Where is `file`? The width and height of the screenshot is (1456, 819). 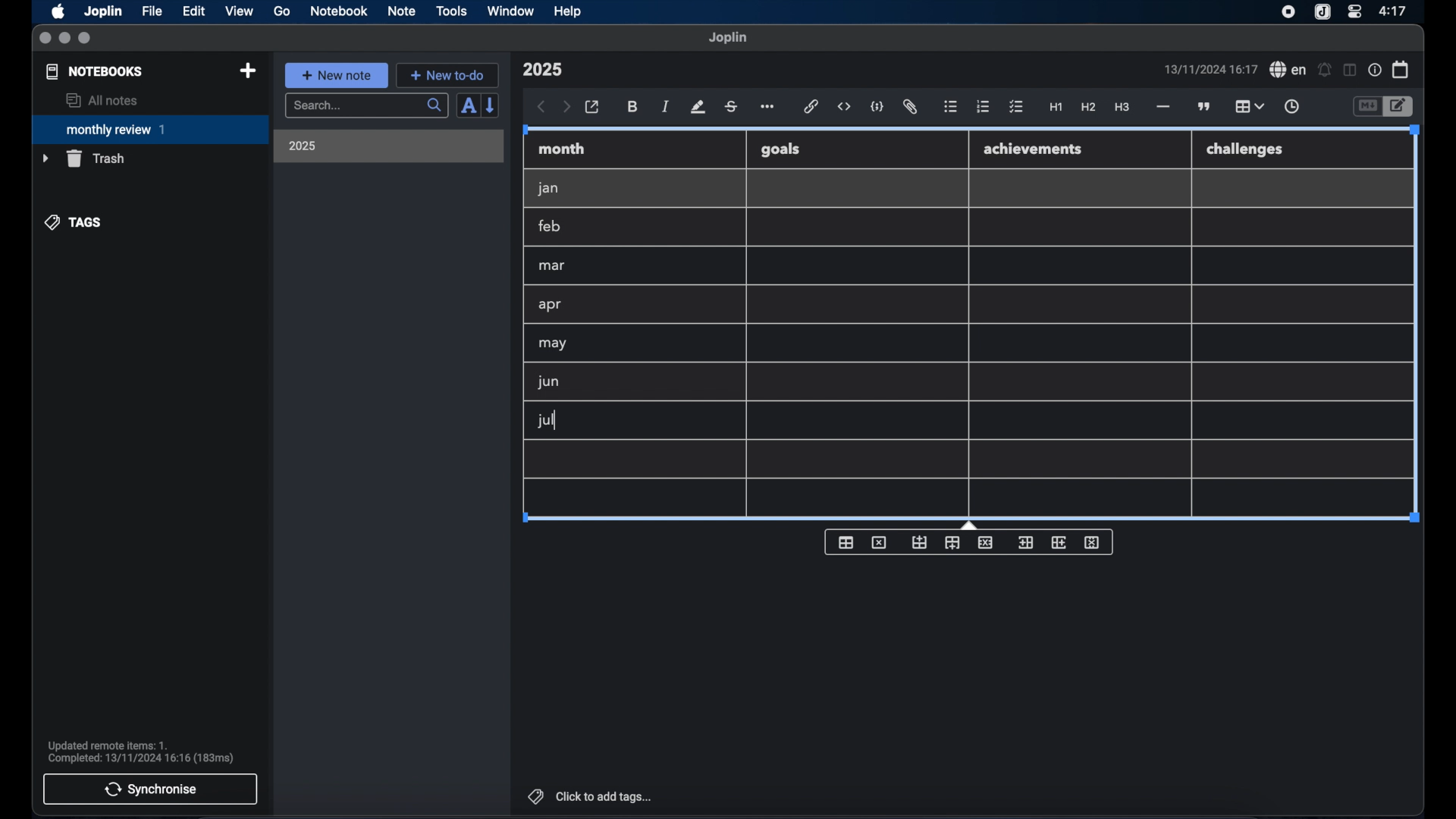
file is located at coordinates (152, 11).